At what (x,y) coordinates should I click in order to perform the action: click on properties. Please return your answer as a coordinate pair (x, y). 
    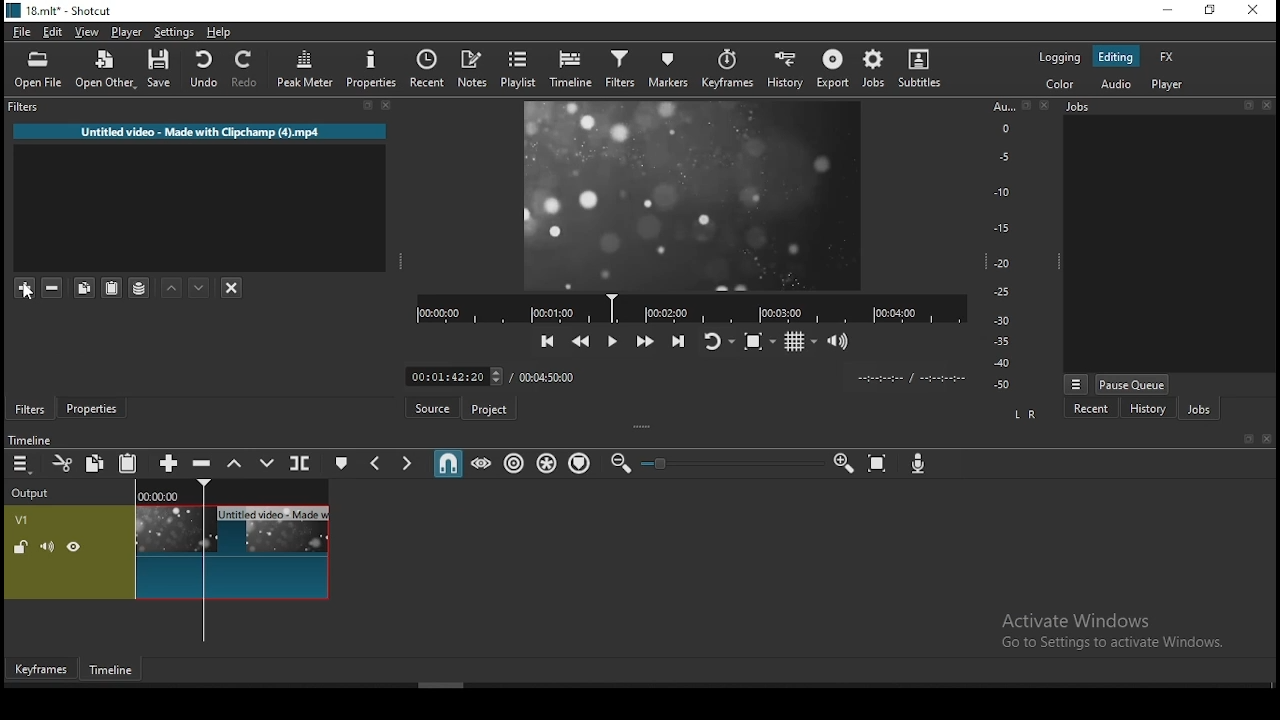
    Looking at the image, I should click on (369, 69).